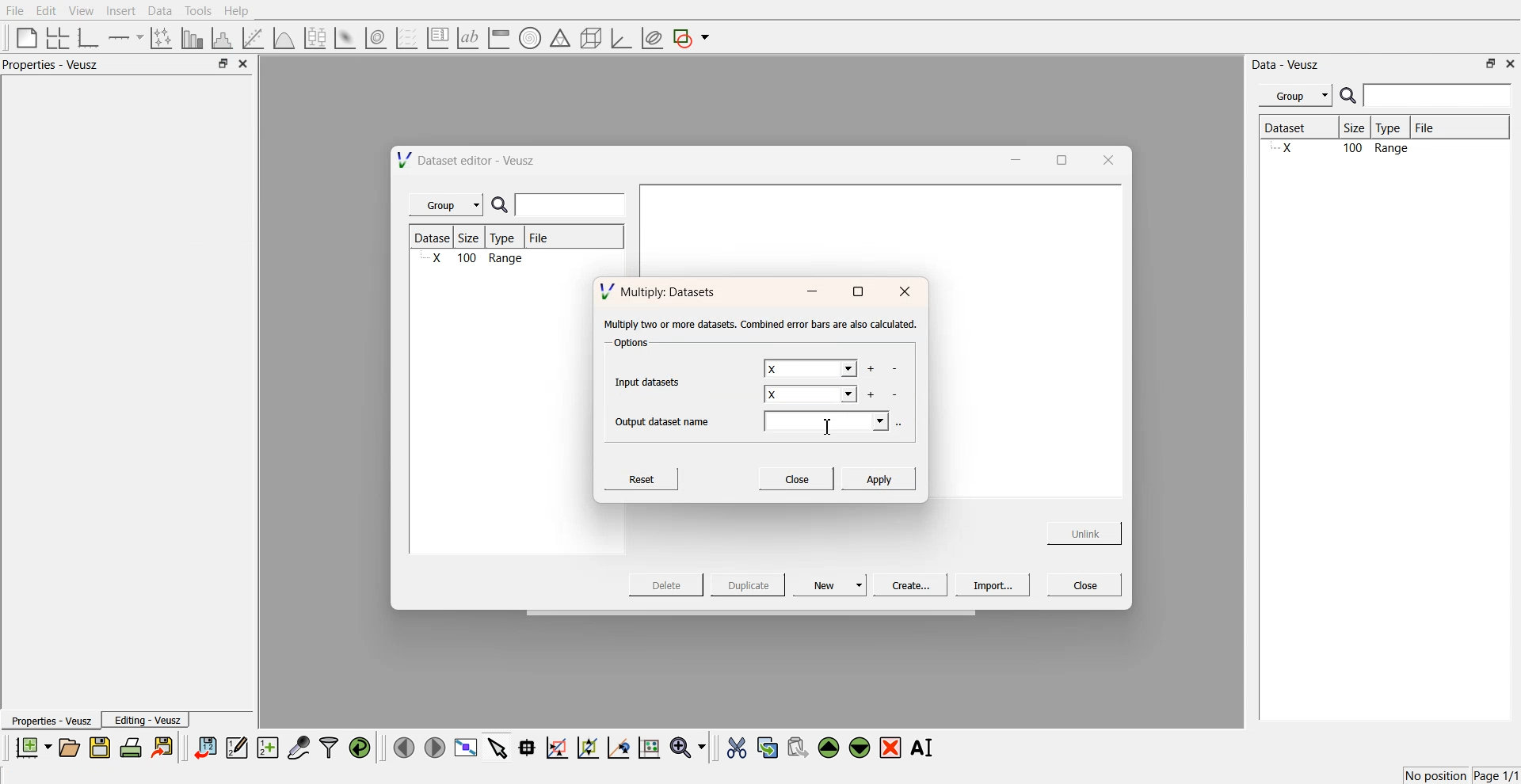 The height and width of the screenshot is (784, 1521). Describe the element at coordinates (327, 748) in the screenshot. I see `filters` at that location.